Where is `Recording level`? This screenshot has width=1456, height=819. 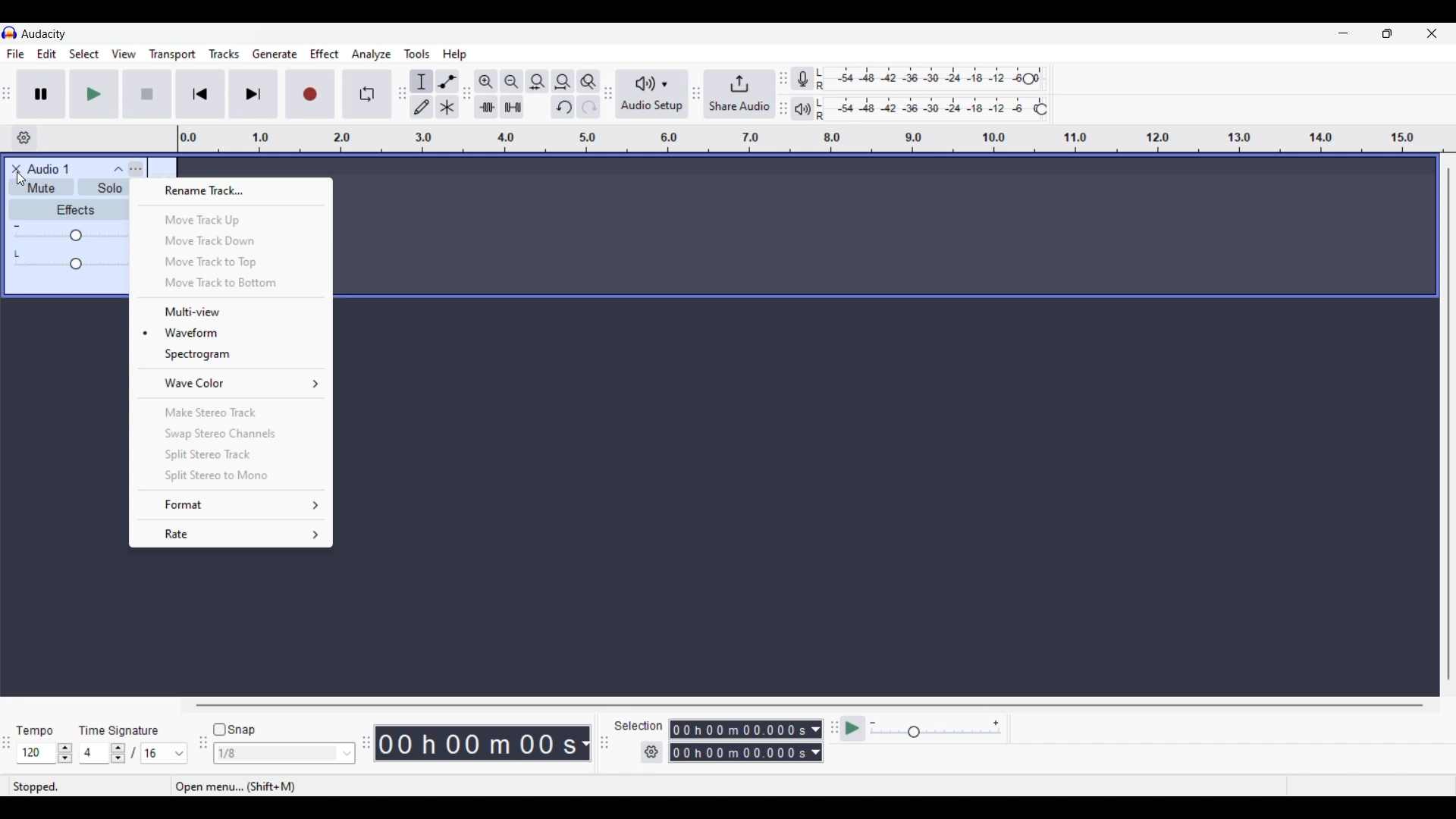
Recording level is located at coordinates (928, 80).